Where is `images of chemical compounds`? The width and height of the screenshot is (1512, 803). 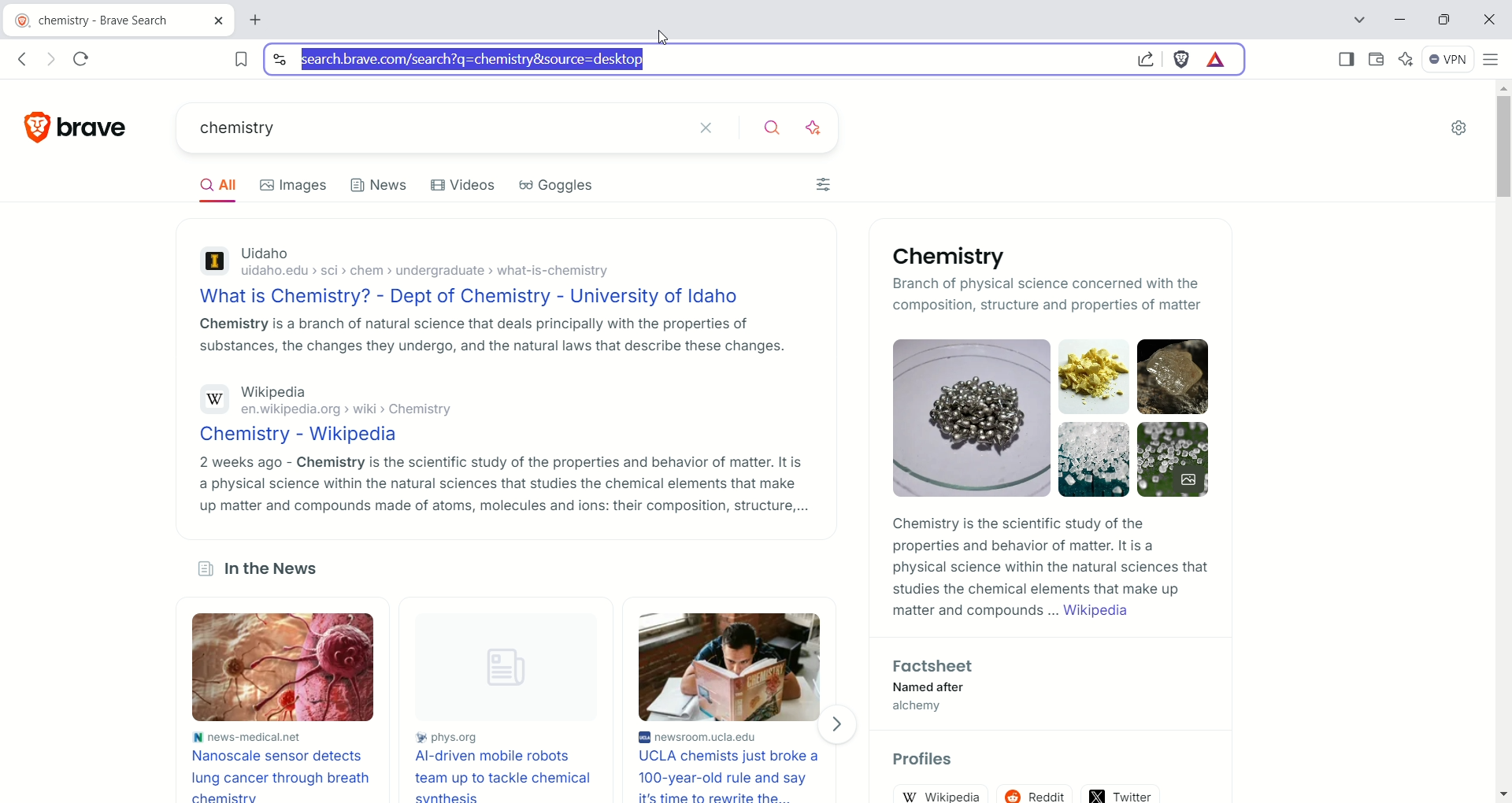 images of chemical compounds is located at coordinates (963, 417).